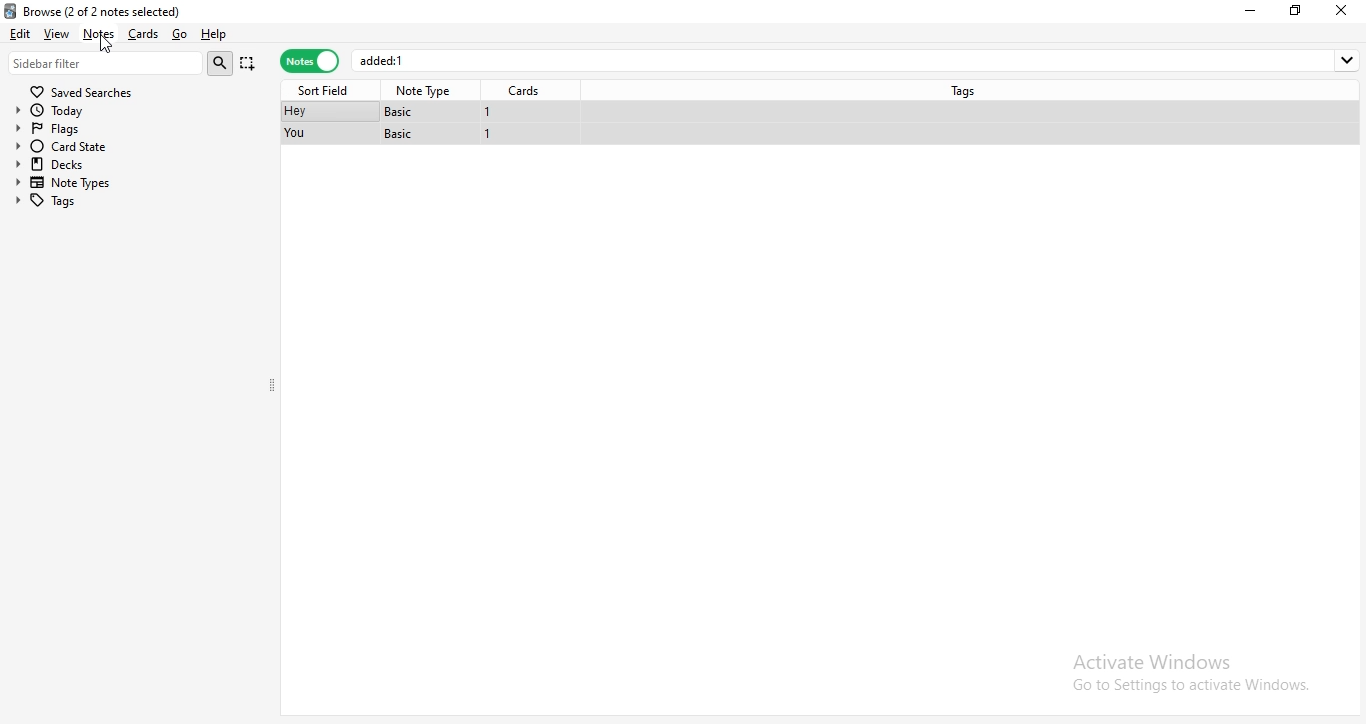 Image resolution: width=1366 pixels, height=724 pixels. Describe the element at coordinates (214, 35) in the screenshot. I see `help` at that location.